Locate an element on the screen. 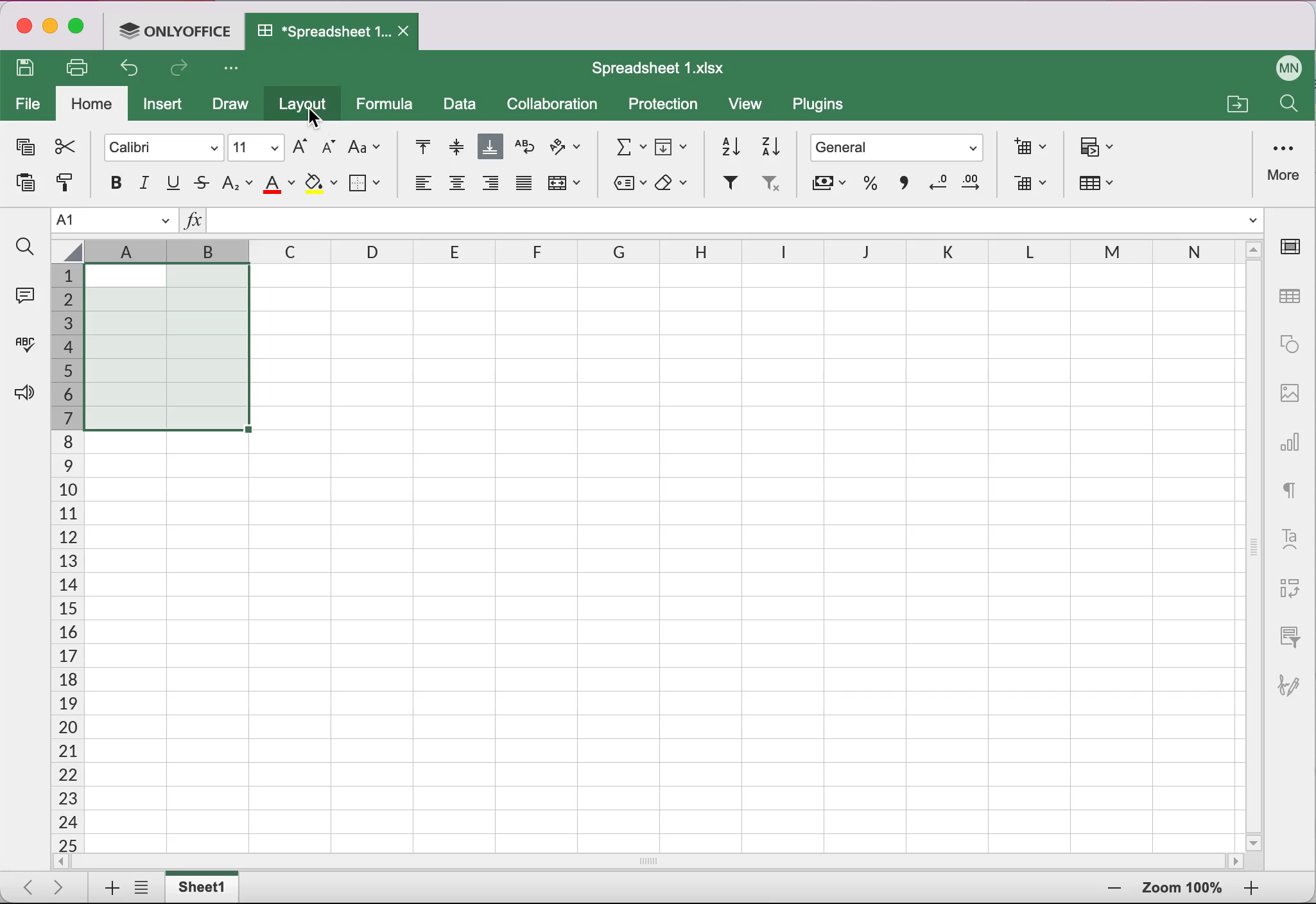 The height and width of the screenshot is (904, 1316). insert cells is located at coordinates (1026, 146).